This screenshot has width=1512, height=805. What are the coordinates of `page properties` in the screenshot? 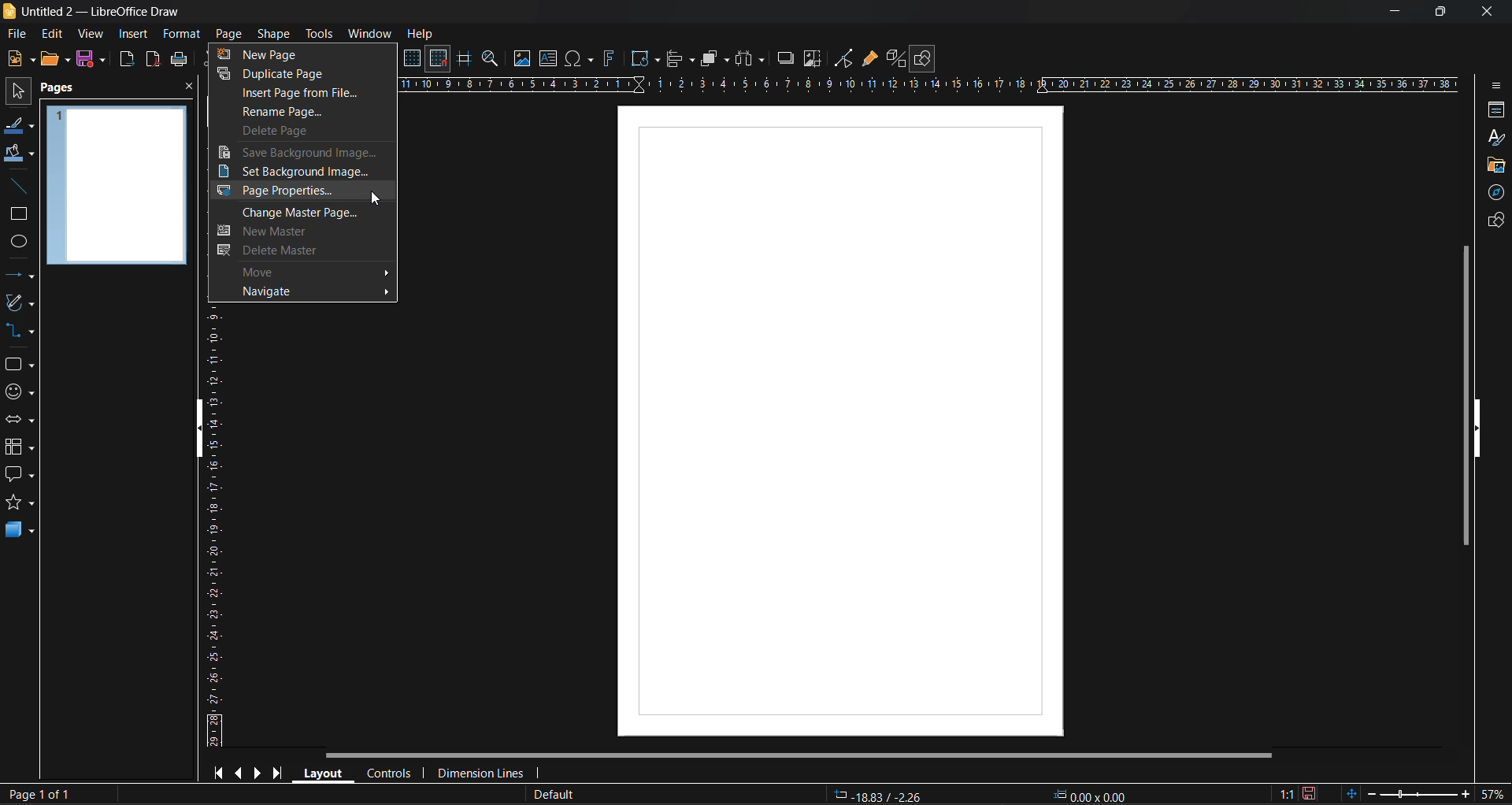 It's located at (287, 190).